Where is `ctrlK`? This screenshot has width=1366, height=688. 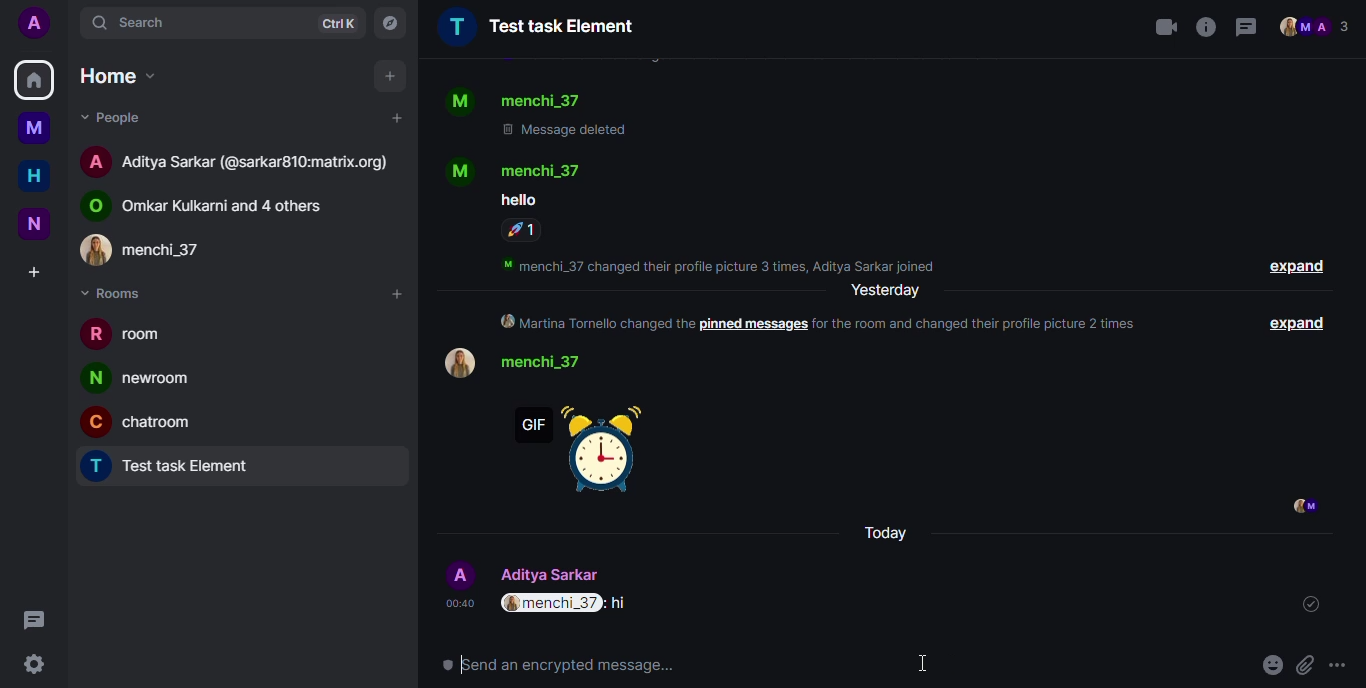 ctrlK is located at coordinates (333, 22).